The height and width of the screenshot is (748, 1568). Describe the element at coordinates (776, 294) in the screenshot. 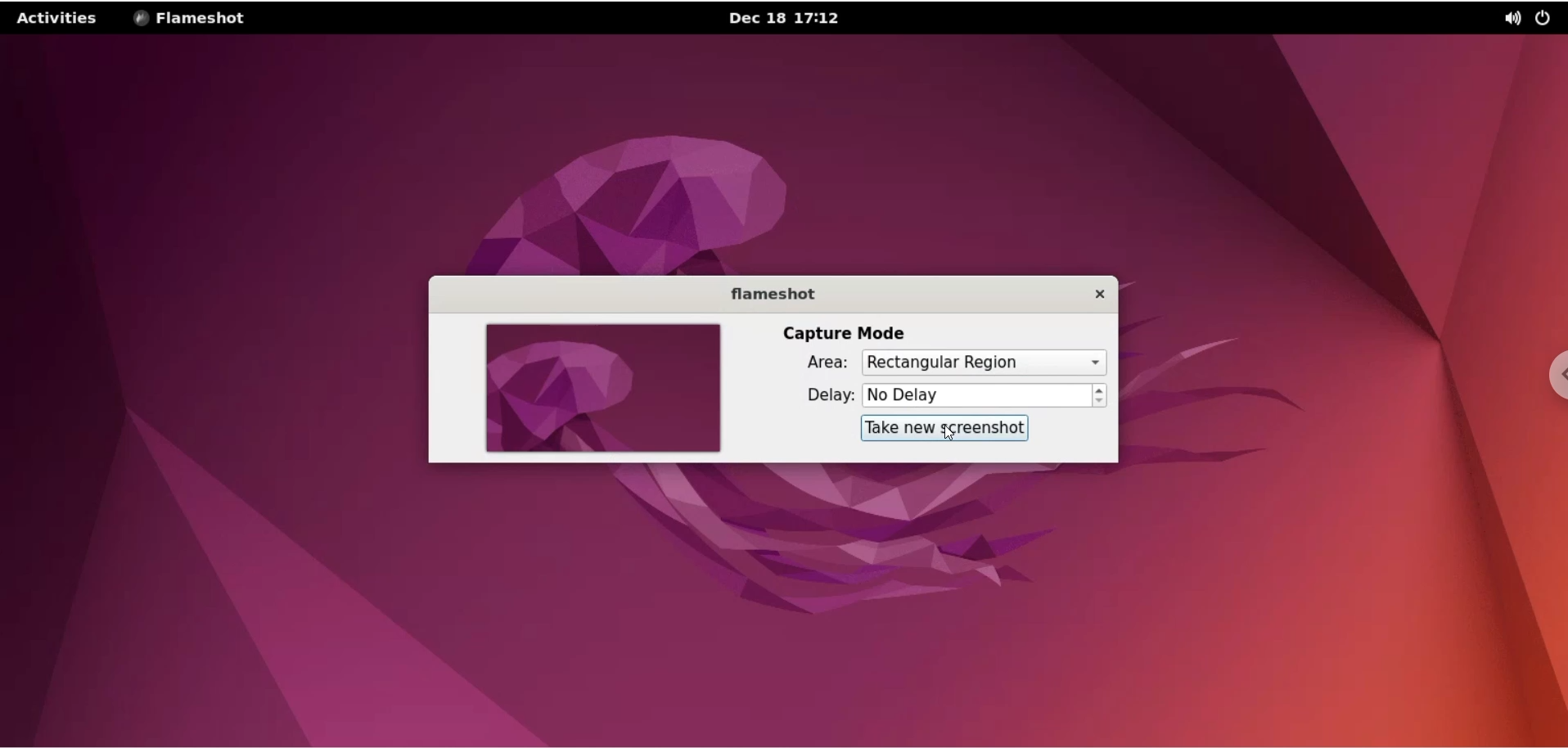

I see `flameshot label` at that location.